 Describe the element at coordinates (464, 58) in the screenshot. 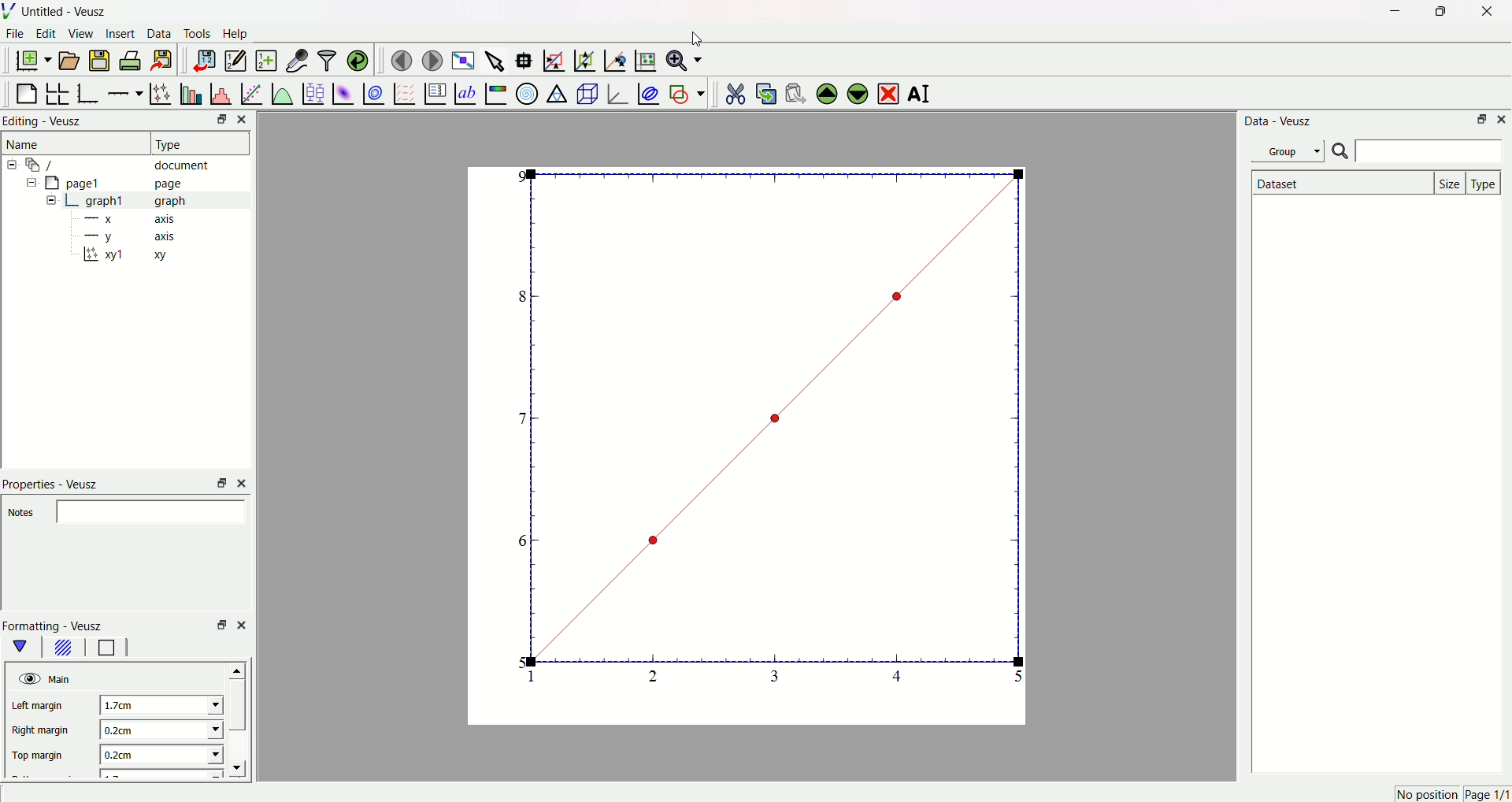

I see `view plot full screen` at that location.